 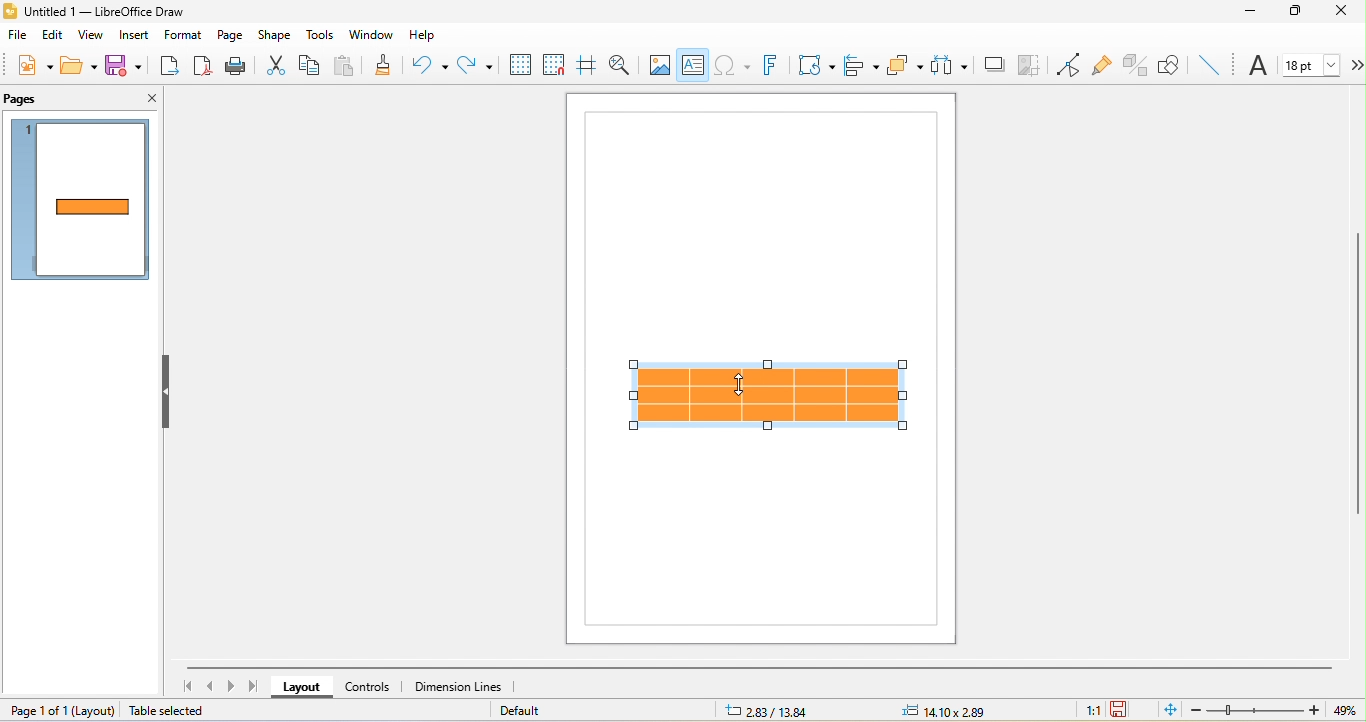 What do you see at coordinates (1343, 711) in the screenshot?
I see `49%` at bounding box center [1343, 711].